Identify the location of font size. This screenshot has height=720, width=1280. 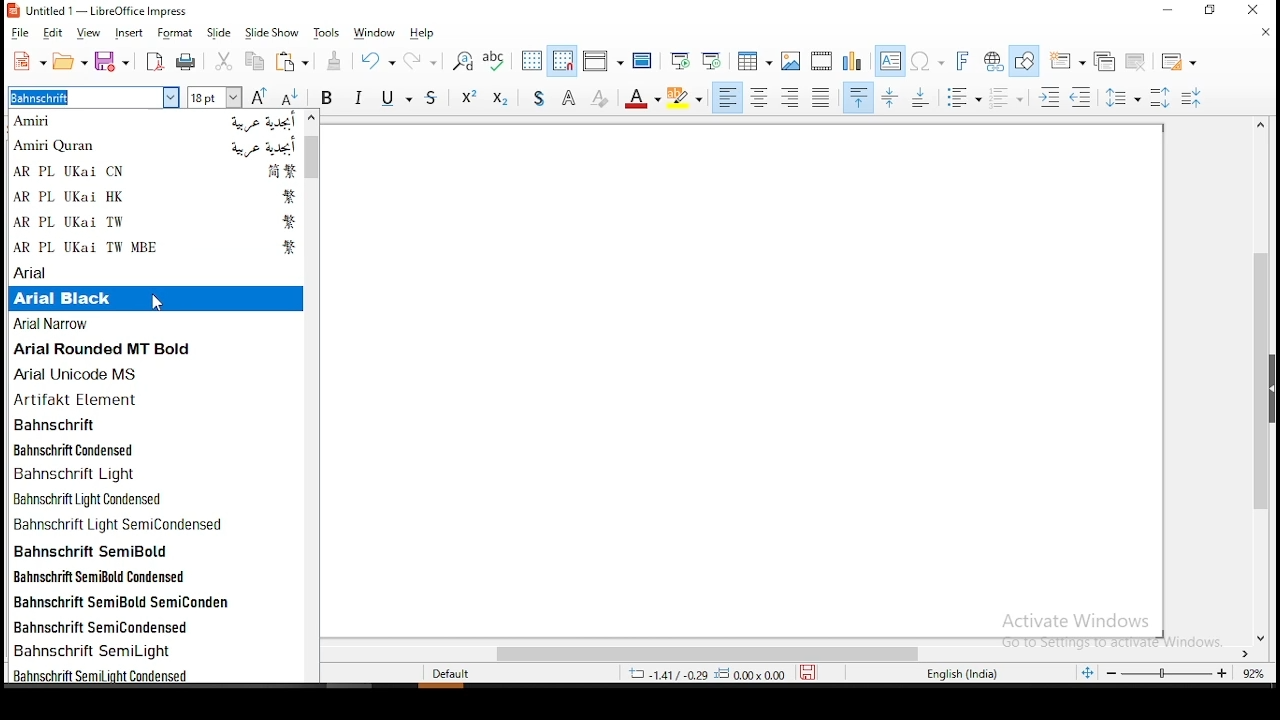
(212, 99).